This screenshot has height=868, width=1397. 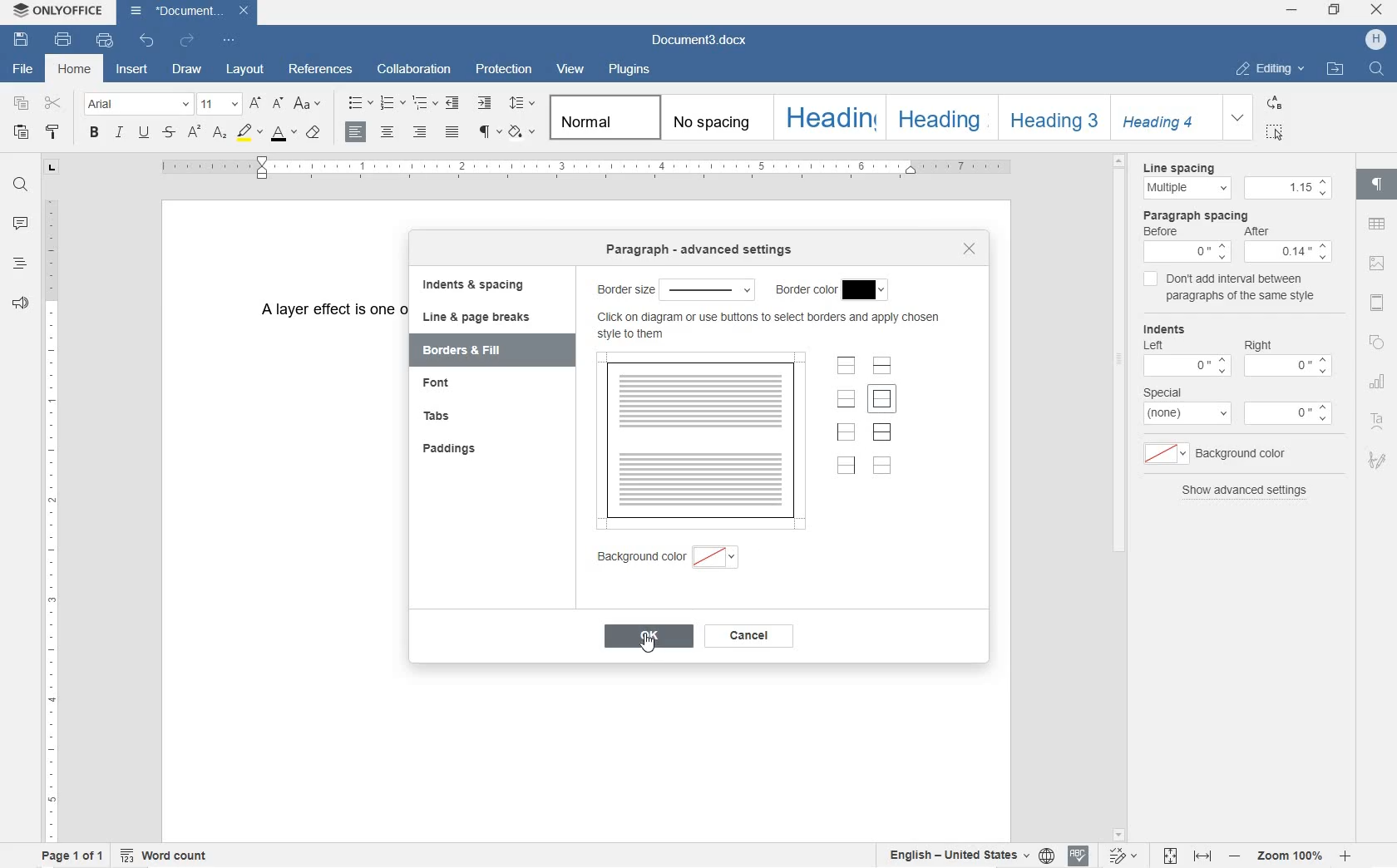 I want to click on TRACK CHANGES, so click(x=1127, y=853).